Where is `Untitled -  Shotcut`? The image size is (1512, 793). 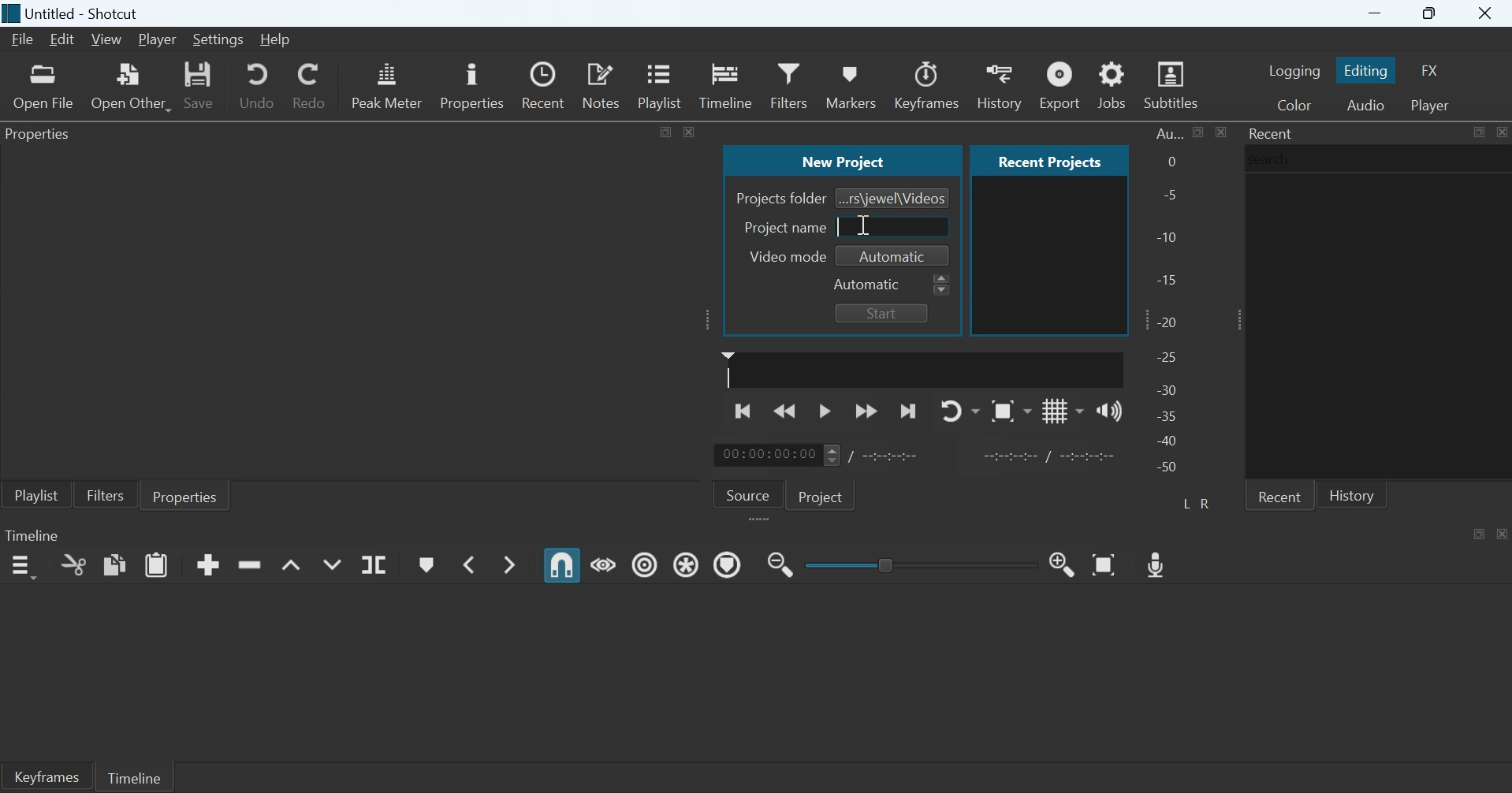
Untitled -  Shotcut is located at coordinates (86, 14).